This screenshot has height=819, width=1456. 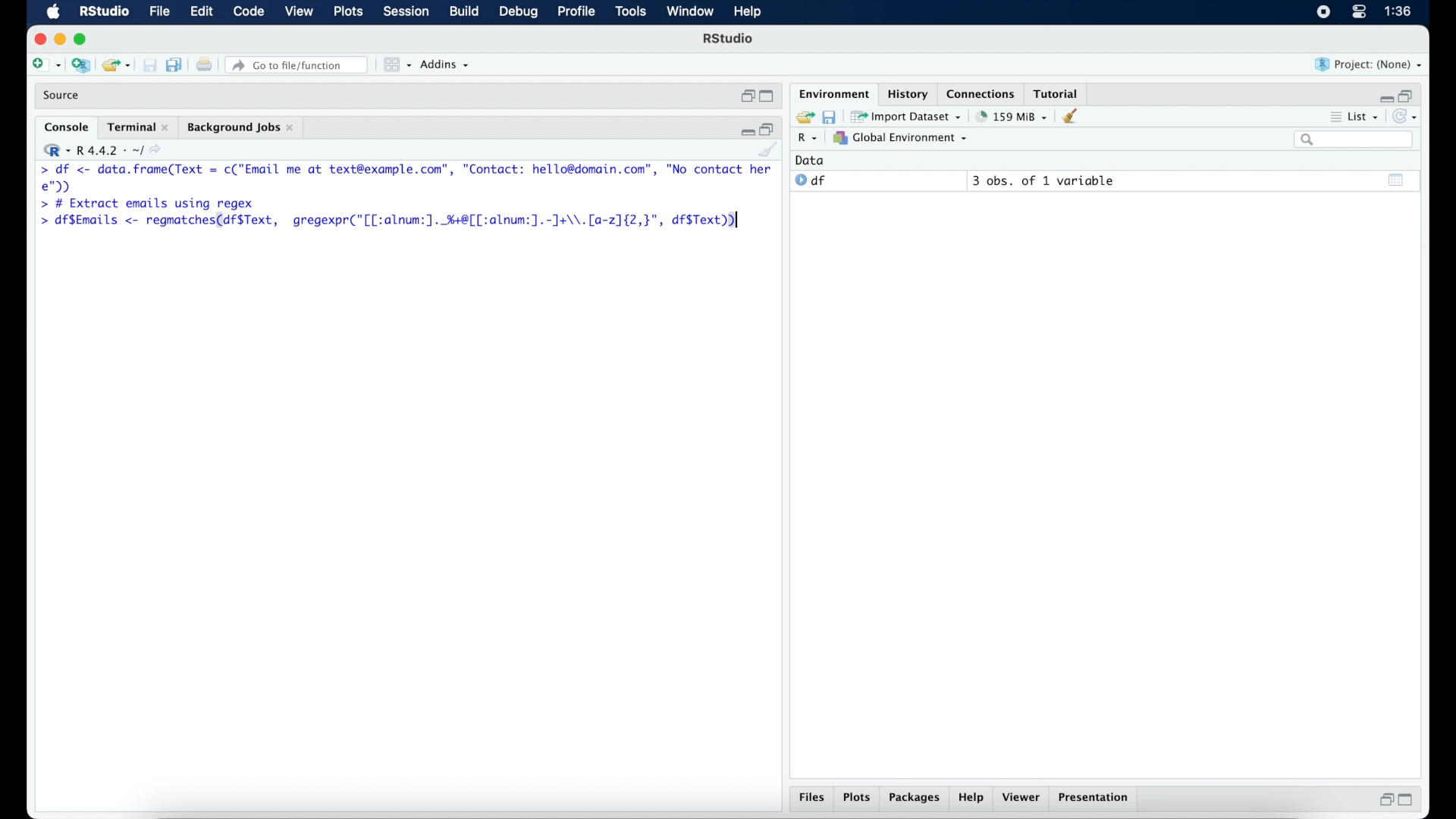 What do you see at coordinates (811, 160) in the screenshot?
I see `date` at bounding box center [811, 160].